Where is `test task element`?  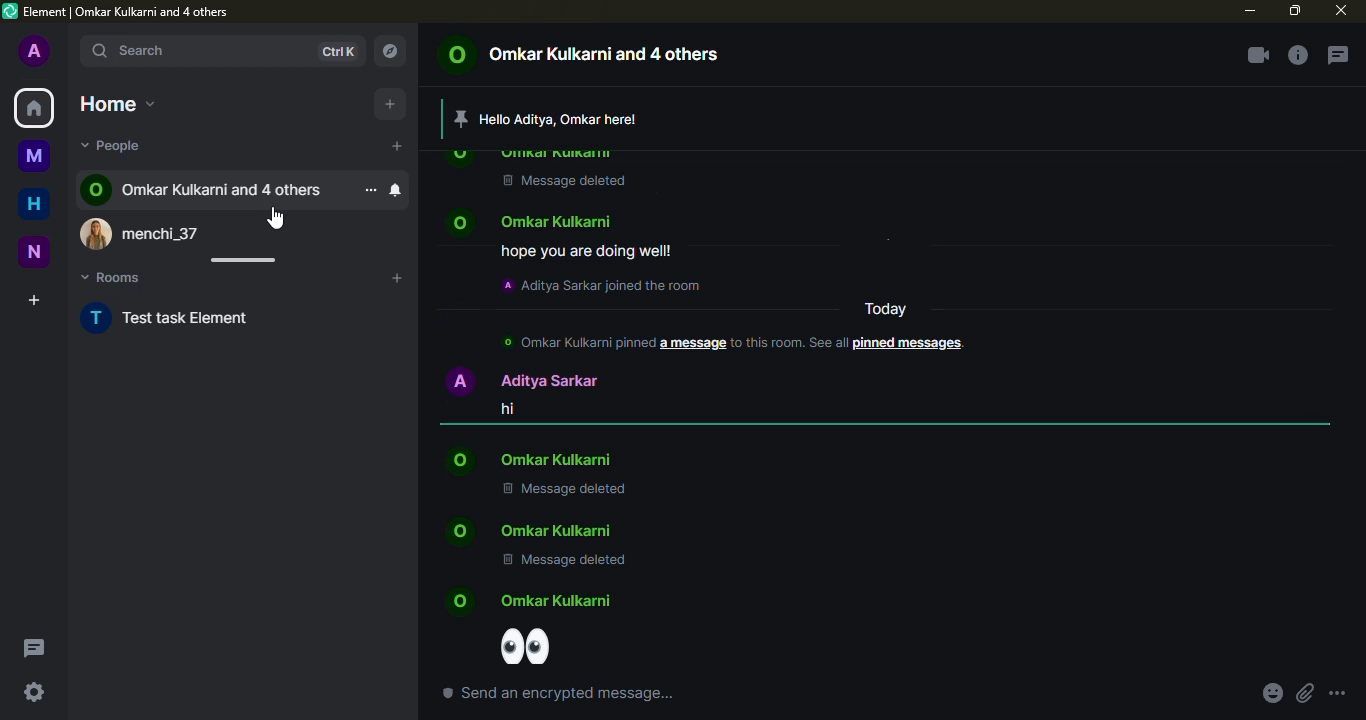
test task element is located at coordinates (184, 317).